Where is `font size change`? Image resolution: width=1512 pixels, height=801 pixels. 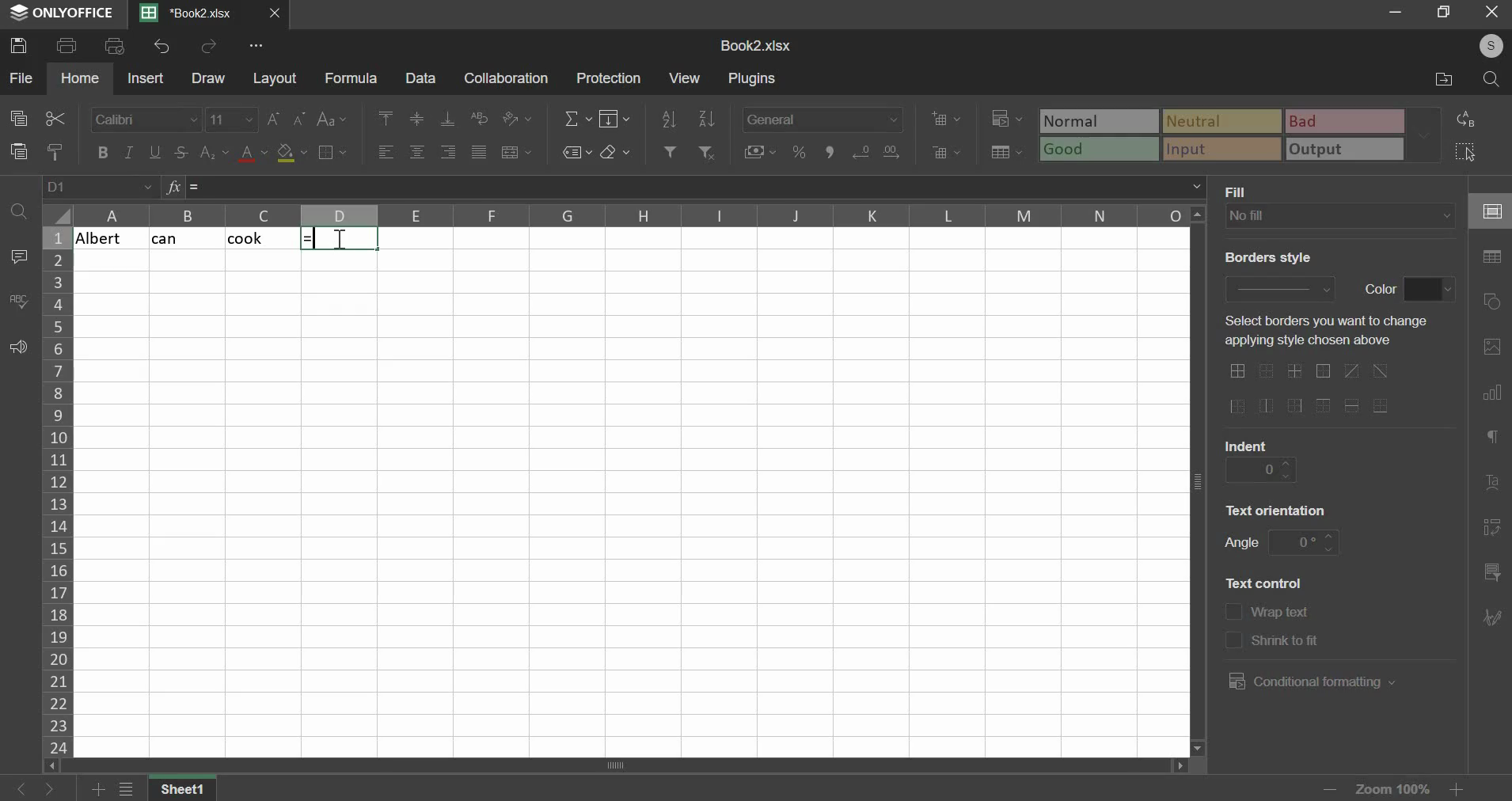
font size change is located at coordinates (288, 119).